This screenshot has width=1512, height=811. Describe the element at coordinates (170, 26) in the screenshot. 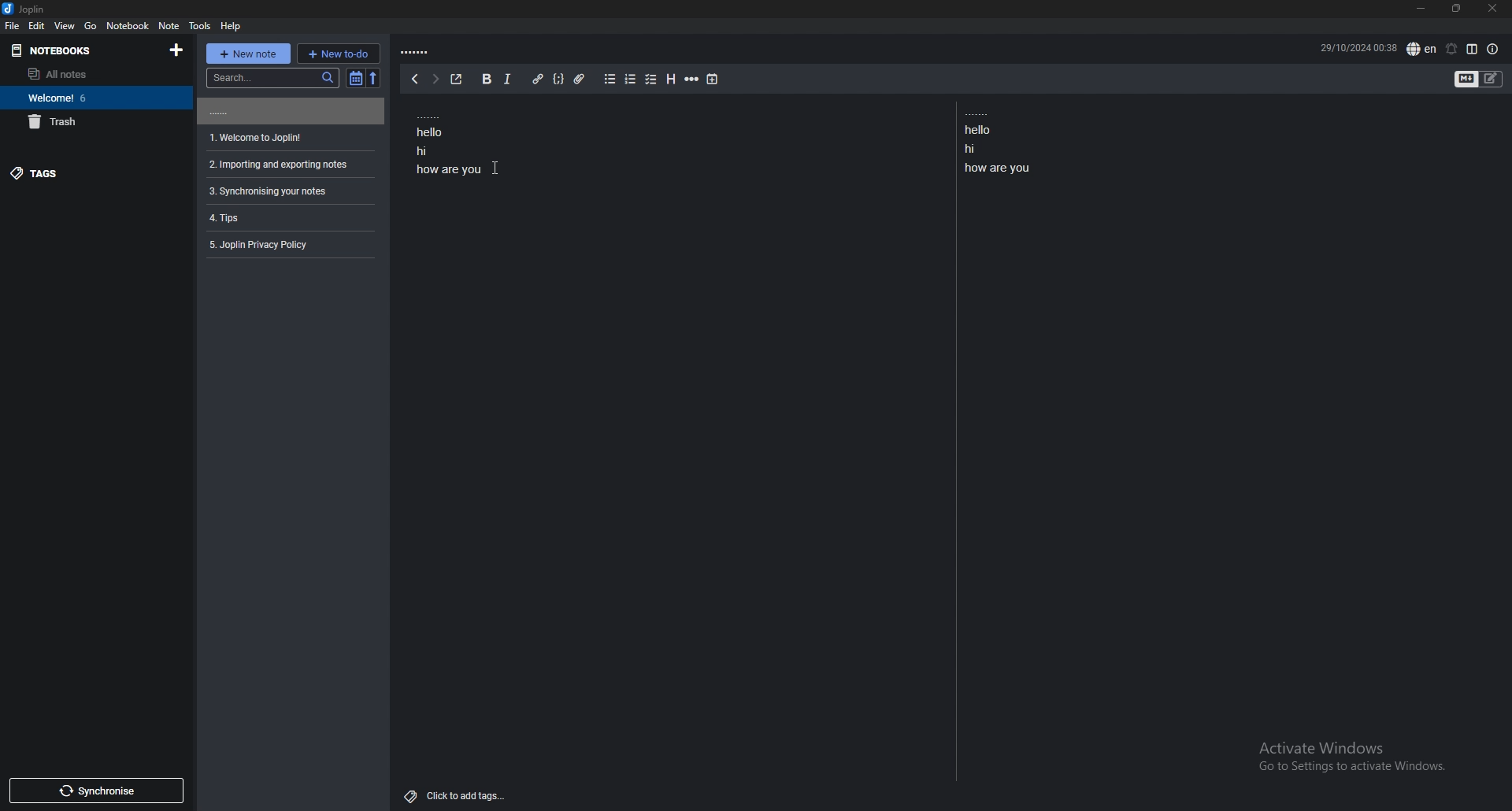

I see `note` at that location.